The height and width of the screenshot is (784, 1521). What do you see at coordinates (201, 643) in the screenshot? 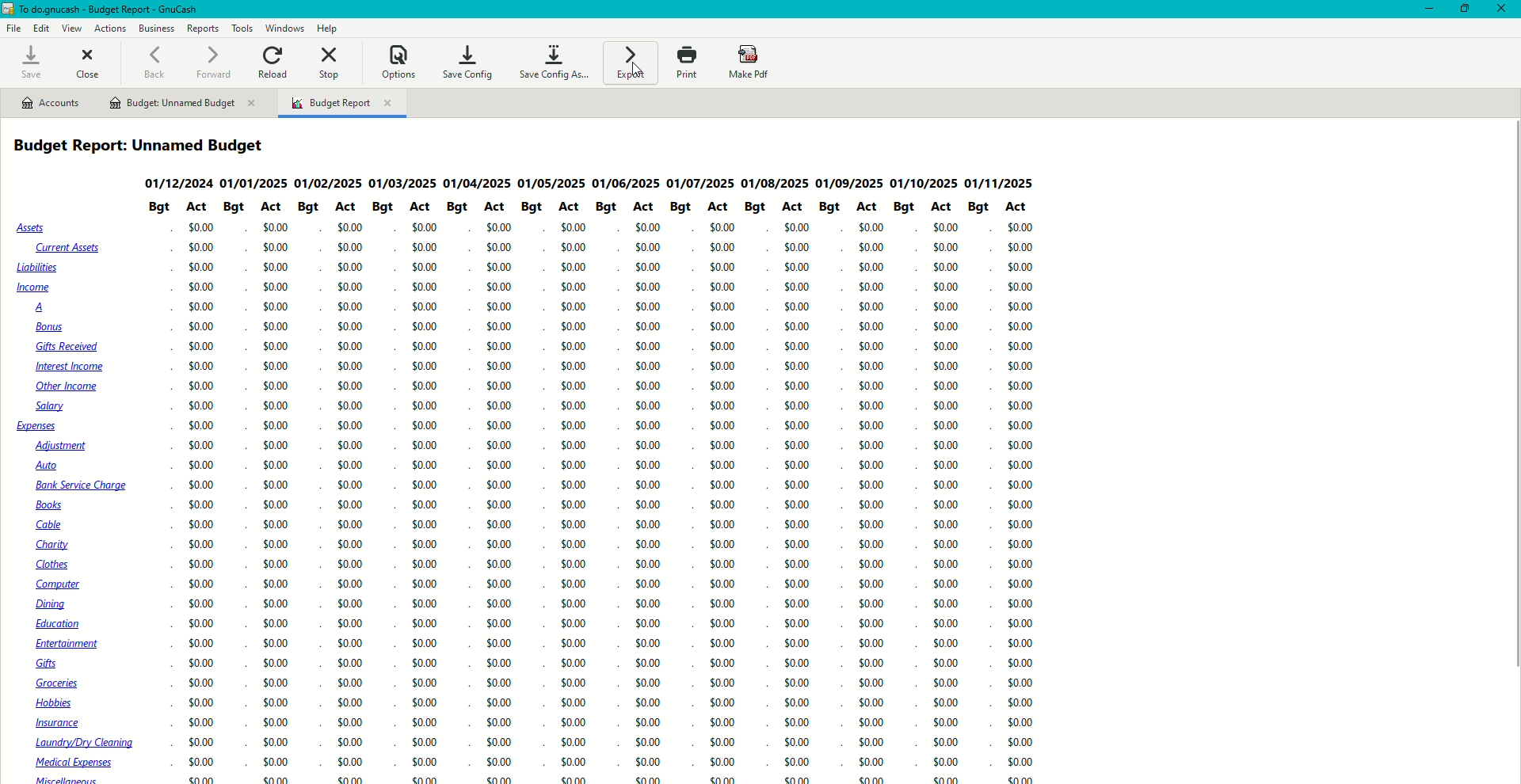
I see `$0.00` at bounding box center [201, 643].